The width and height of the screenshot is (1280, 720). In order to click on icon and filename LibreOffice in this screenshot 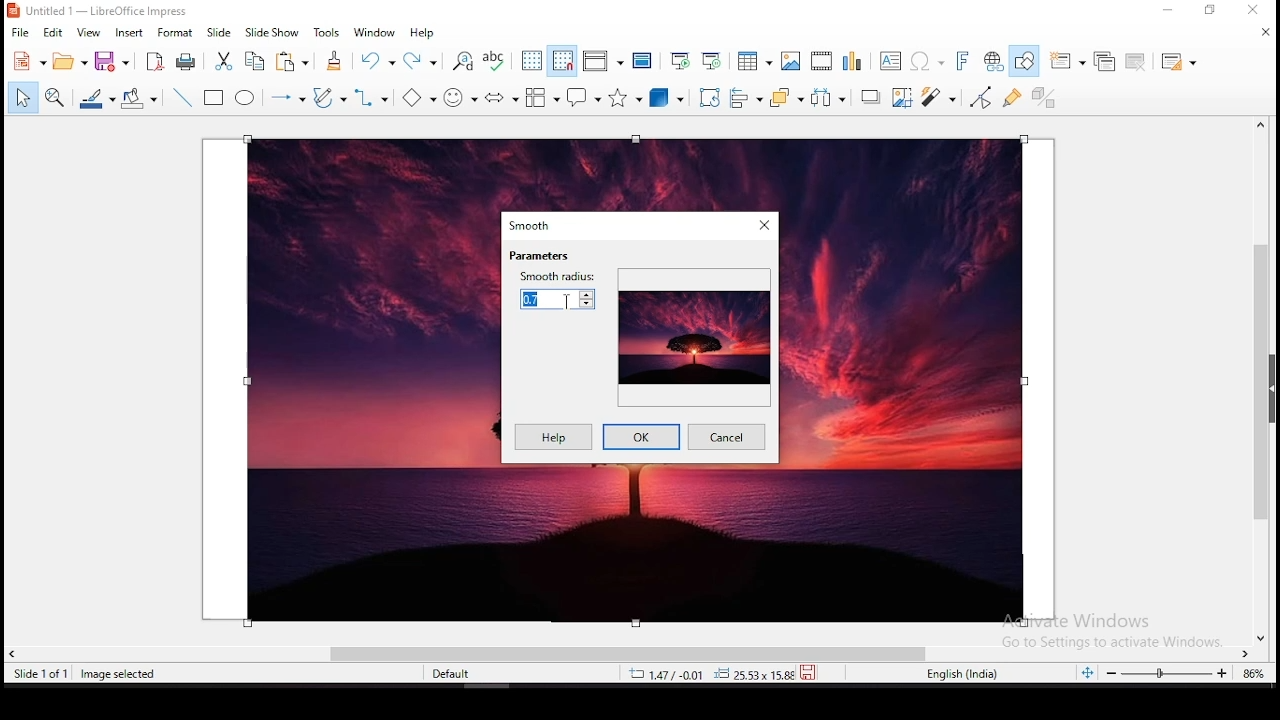, I will do `click(100, 11)`.